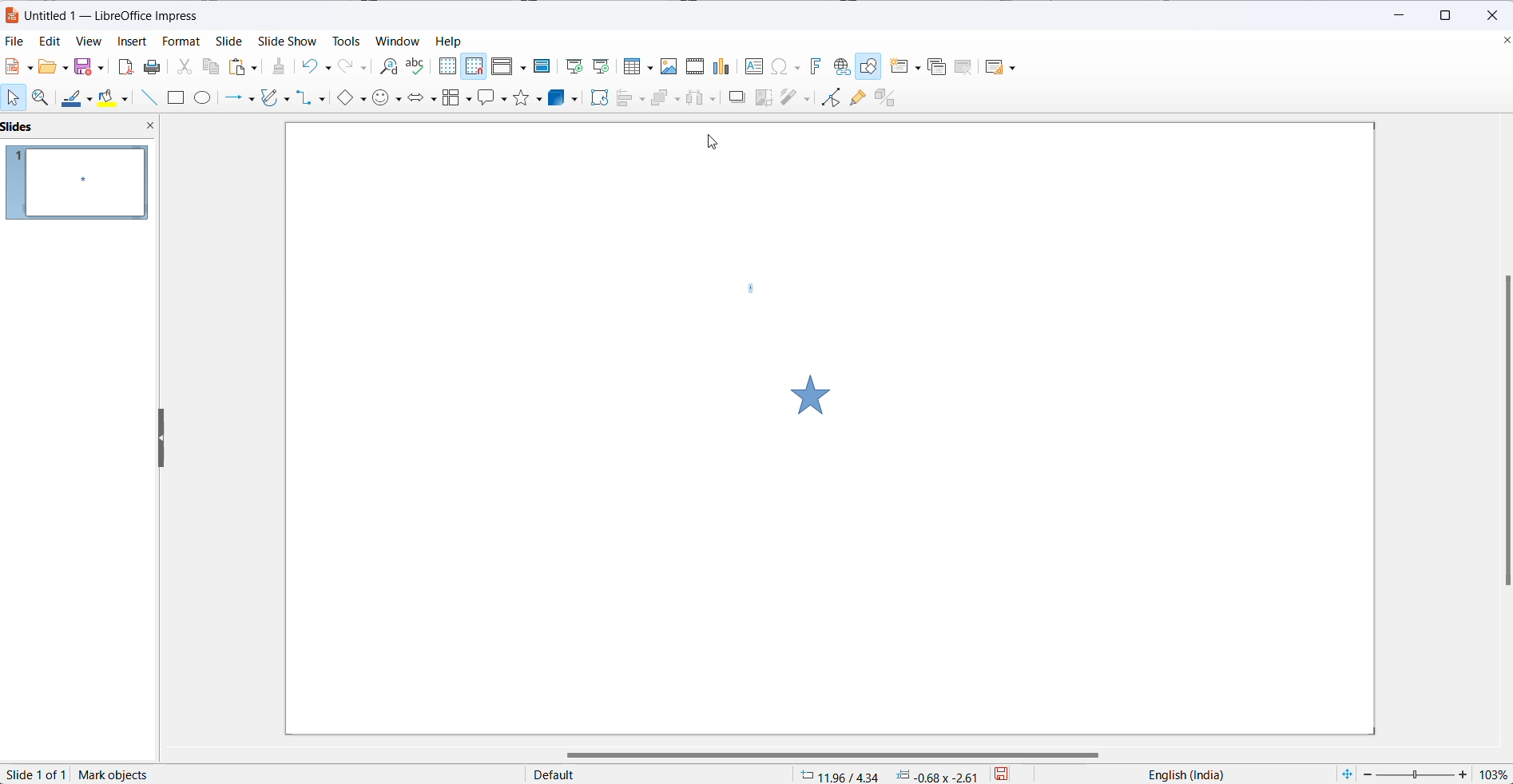 This screenshot has width=1513, height=784. What do you see at coordinates (527, 101) in the screenshot?
I see `star shapes` at bounding box center [527, 101].